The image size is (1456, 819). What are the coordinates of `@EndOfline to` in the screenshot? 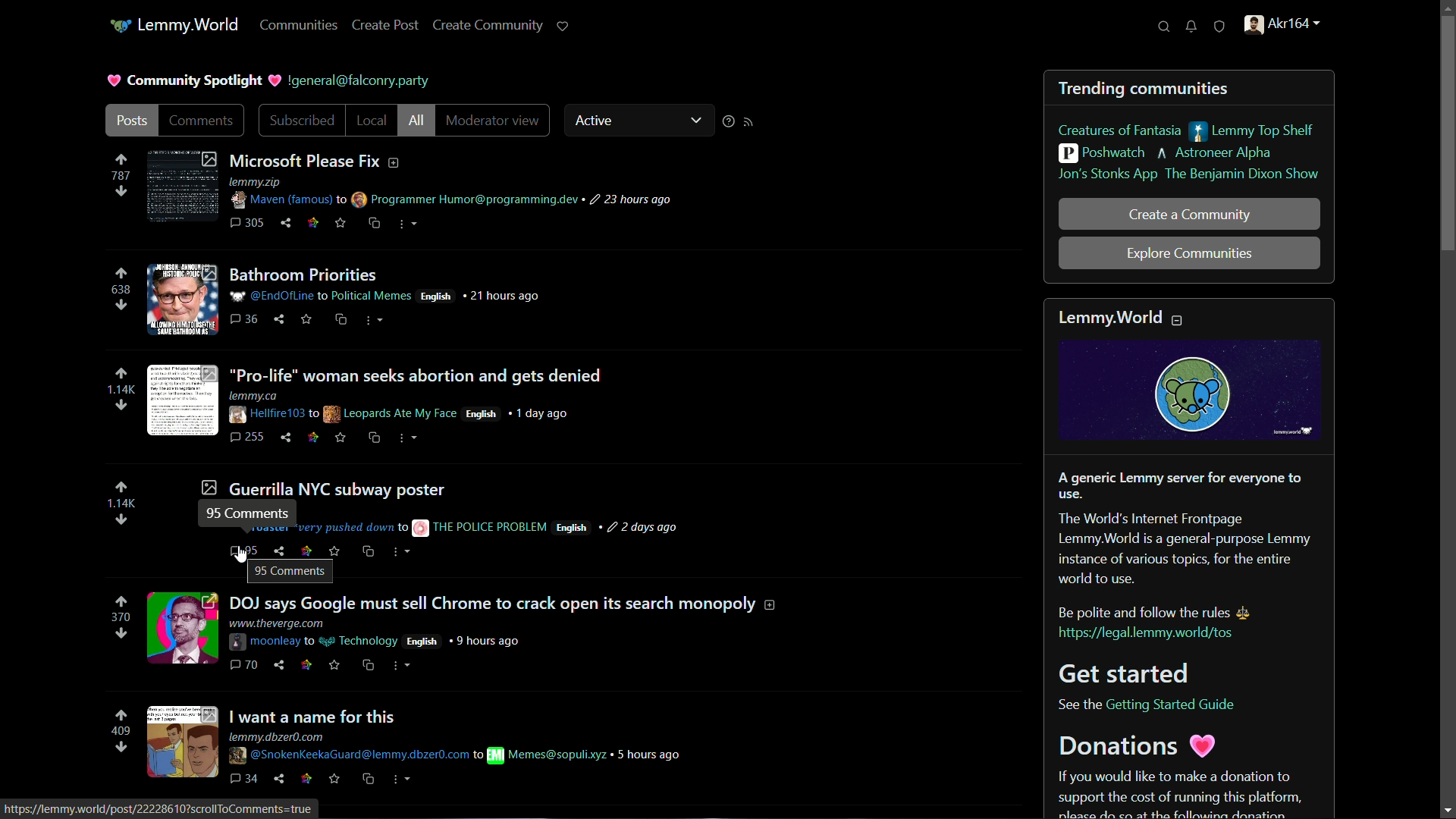 It's located at (279, 296).